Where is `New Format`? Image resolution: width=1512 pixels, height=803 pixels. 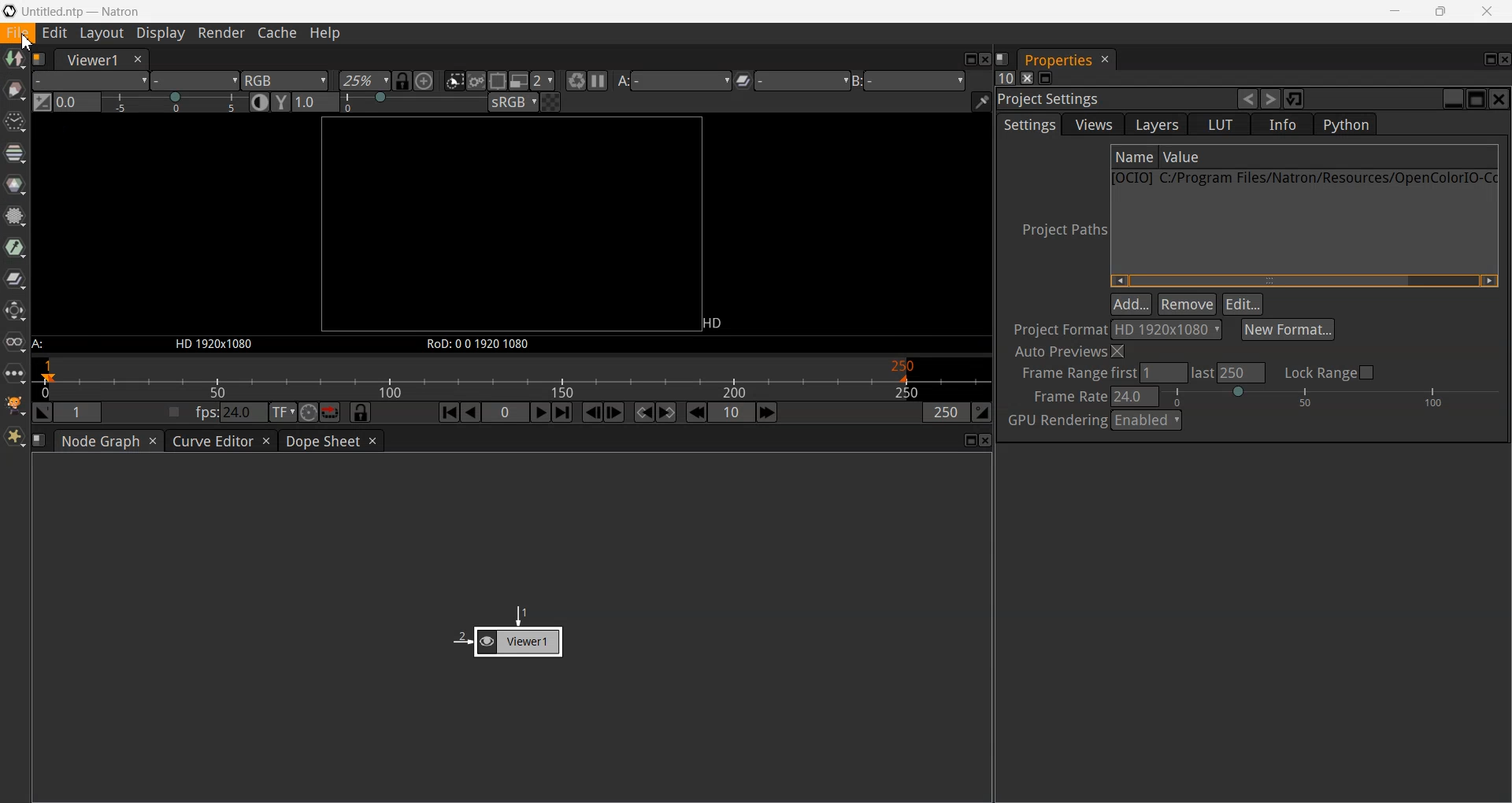 New Format is located at coordinates (1288, 329).